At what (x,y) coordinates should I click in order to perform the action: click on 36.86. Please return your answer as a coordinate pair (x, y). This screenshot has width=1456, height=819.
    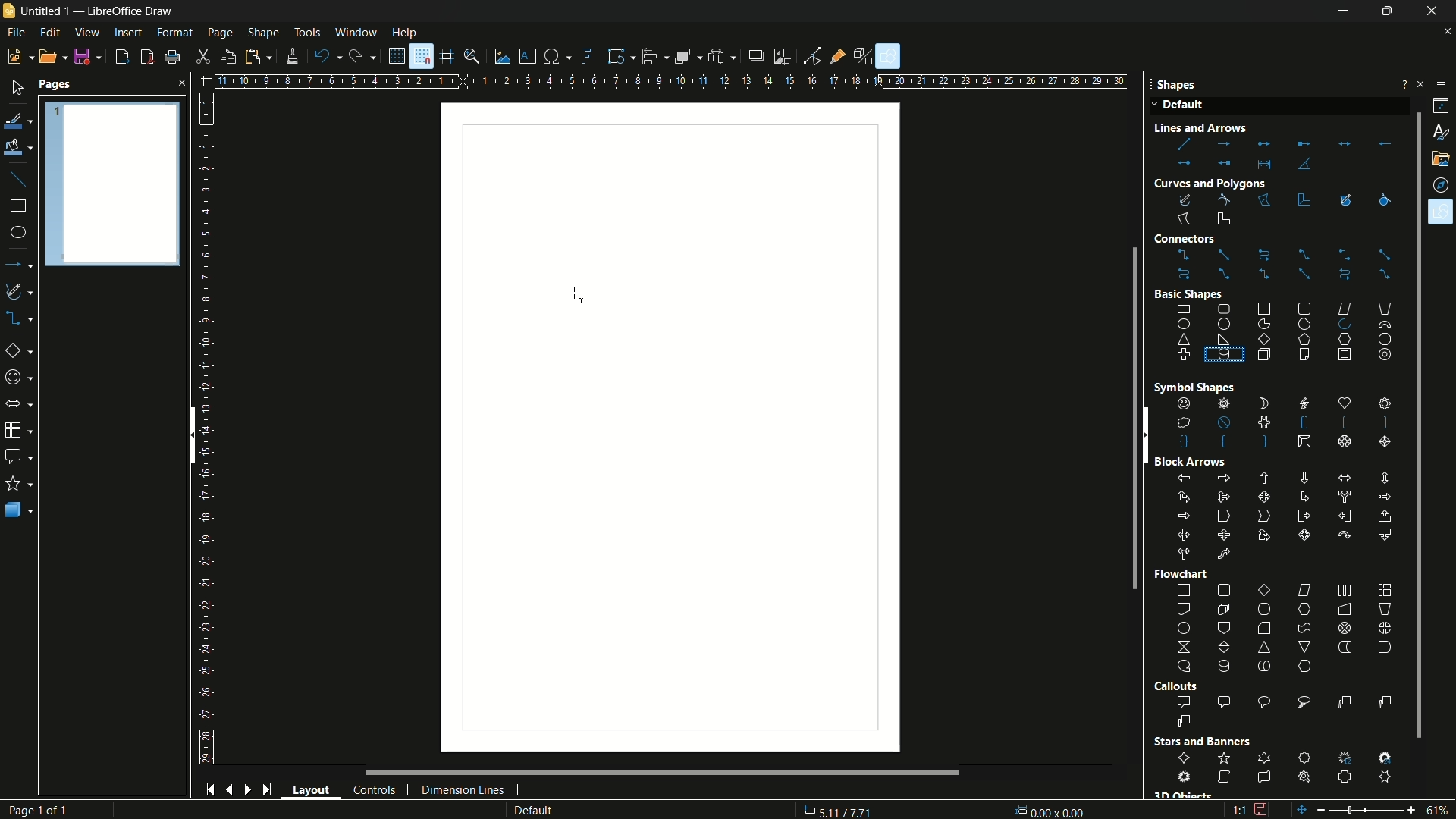
    Looking at the image, I should click on (848, 811).